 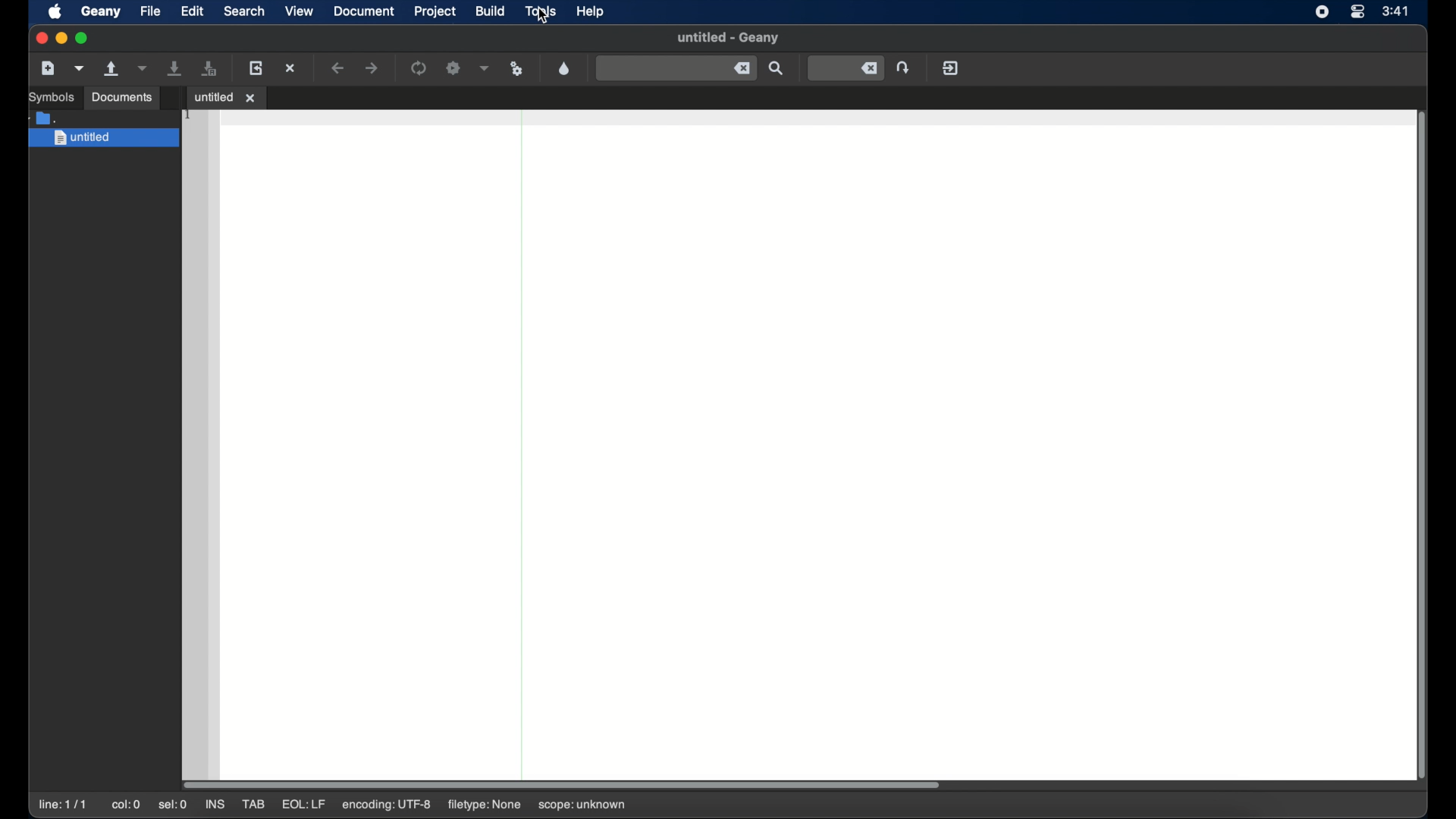 What do you see at coordinates (950, 68) in the screenshot?
I see `quit geany` at bounding box center [950, 68].